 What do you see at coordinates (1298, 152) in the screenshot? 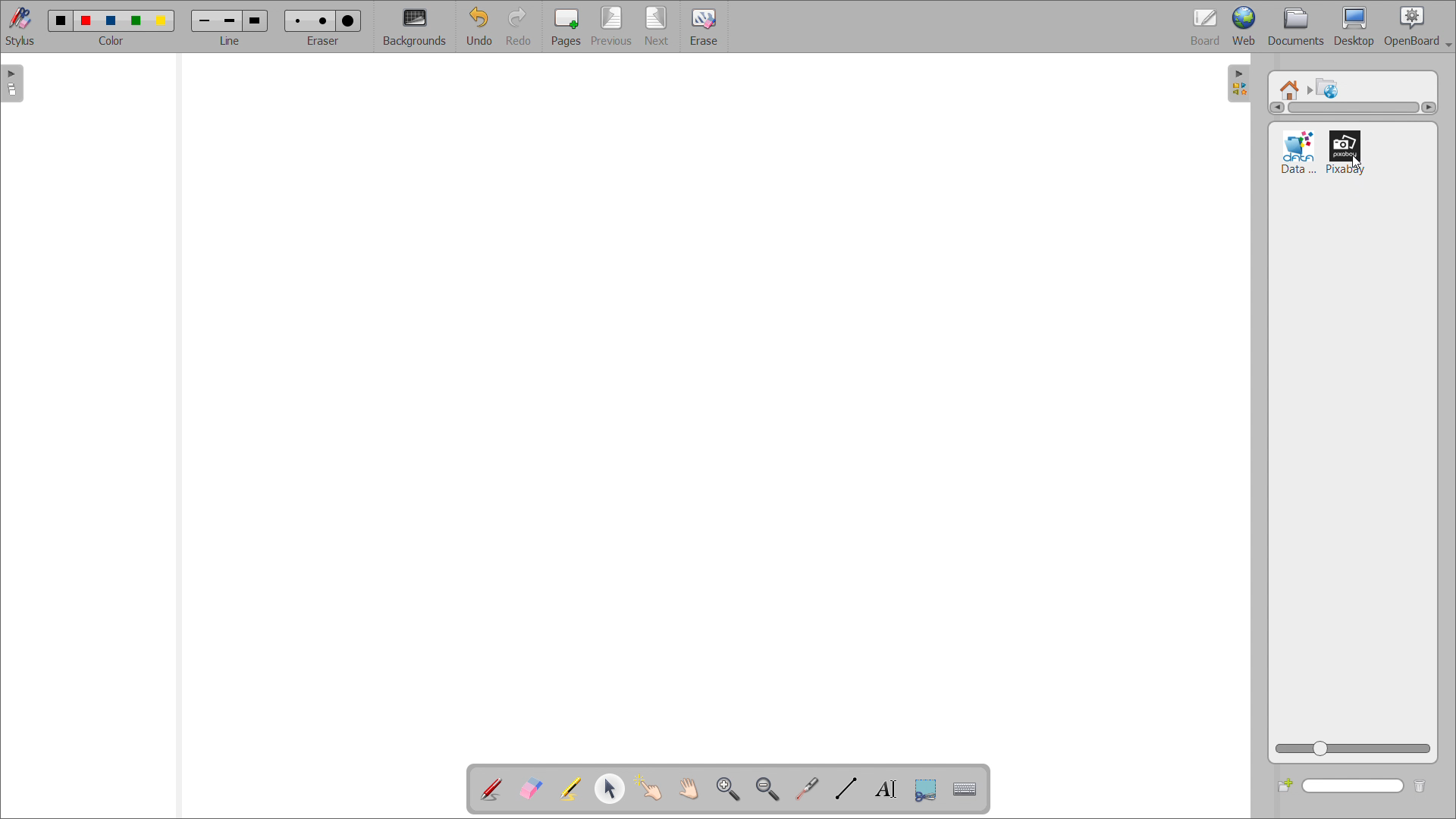
I see `data AbulEdu.wgs` at bounding box center [1298, 152].